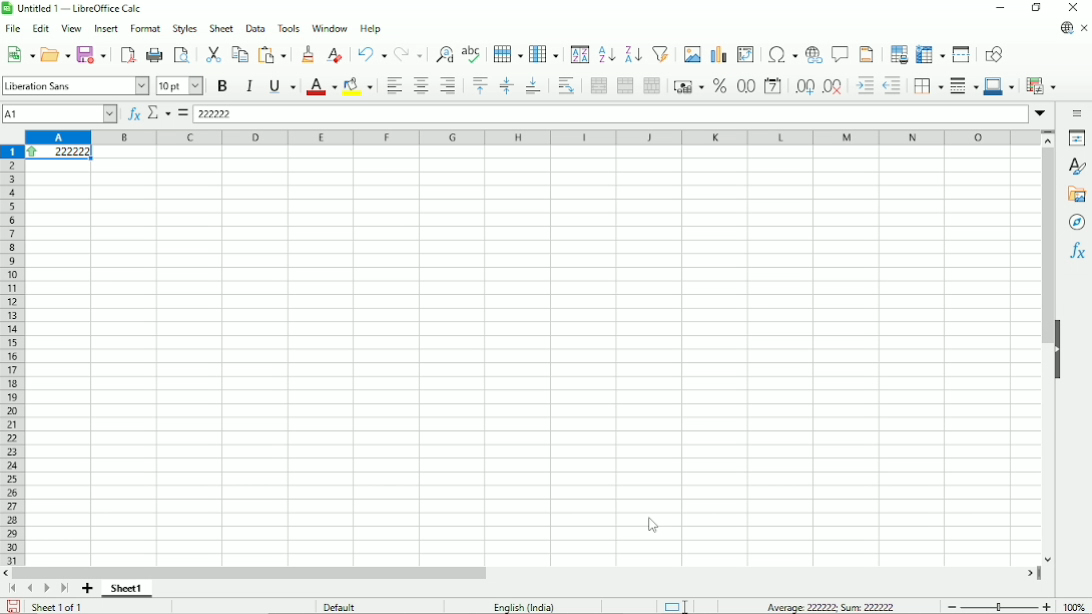 The height and width of the screenshot is (614, 1092). Describe the element at coordinates (720, 52) in the screenshot. I see `Insert chart` at that location.